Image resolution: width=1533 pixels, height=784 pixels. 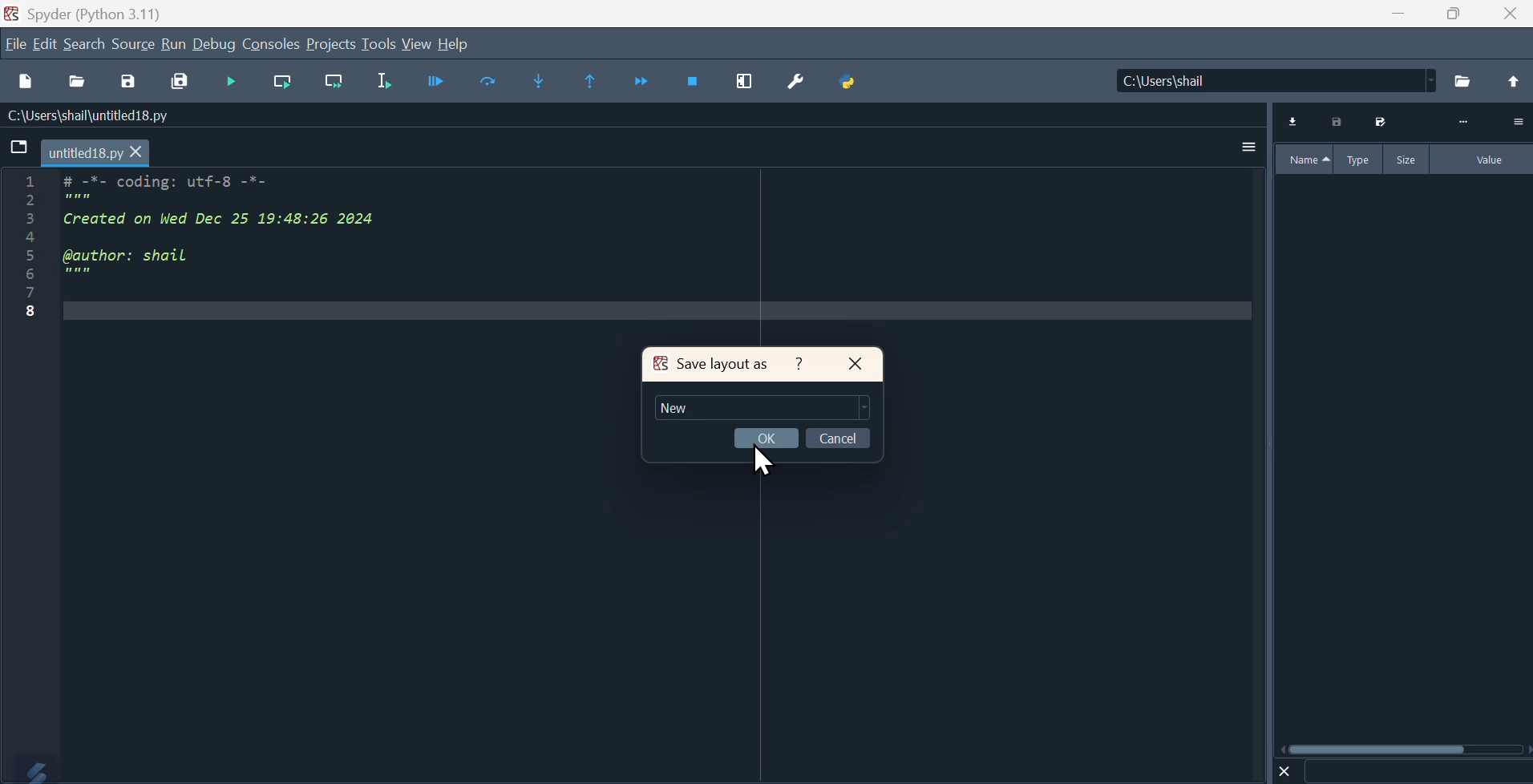 What do you see at coordinates (1408, 159) in the screenshot?
I see `Size` at bounding box center [1408, 159].